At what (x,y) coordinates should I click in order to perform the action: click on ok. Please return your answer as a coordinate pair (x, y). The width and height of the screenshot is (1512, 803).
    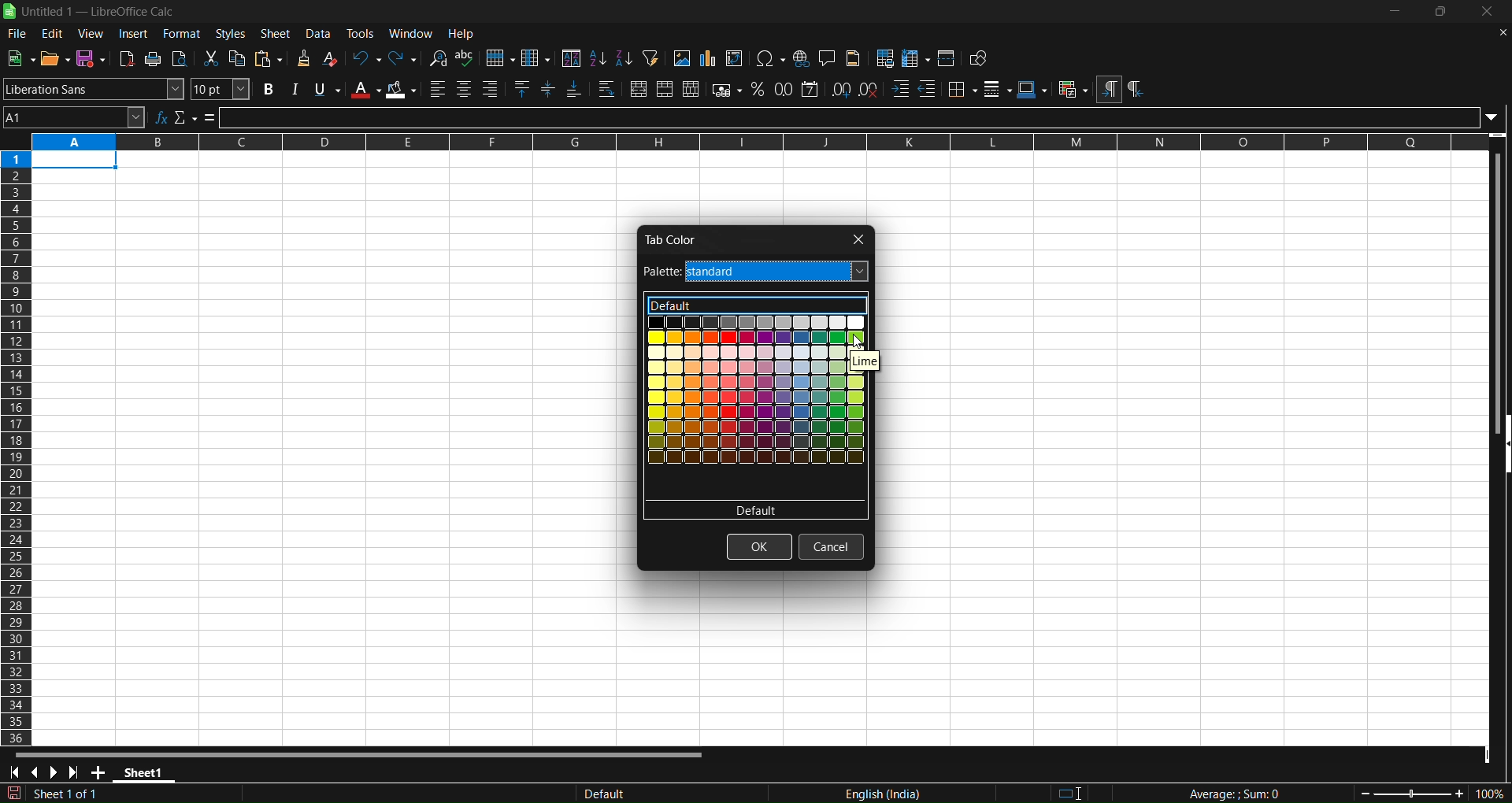
    Looking at the image, I should click on (759, 547).